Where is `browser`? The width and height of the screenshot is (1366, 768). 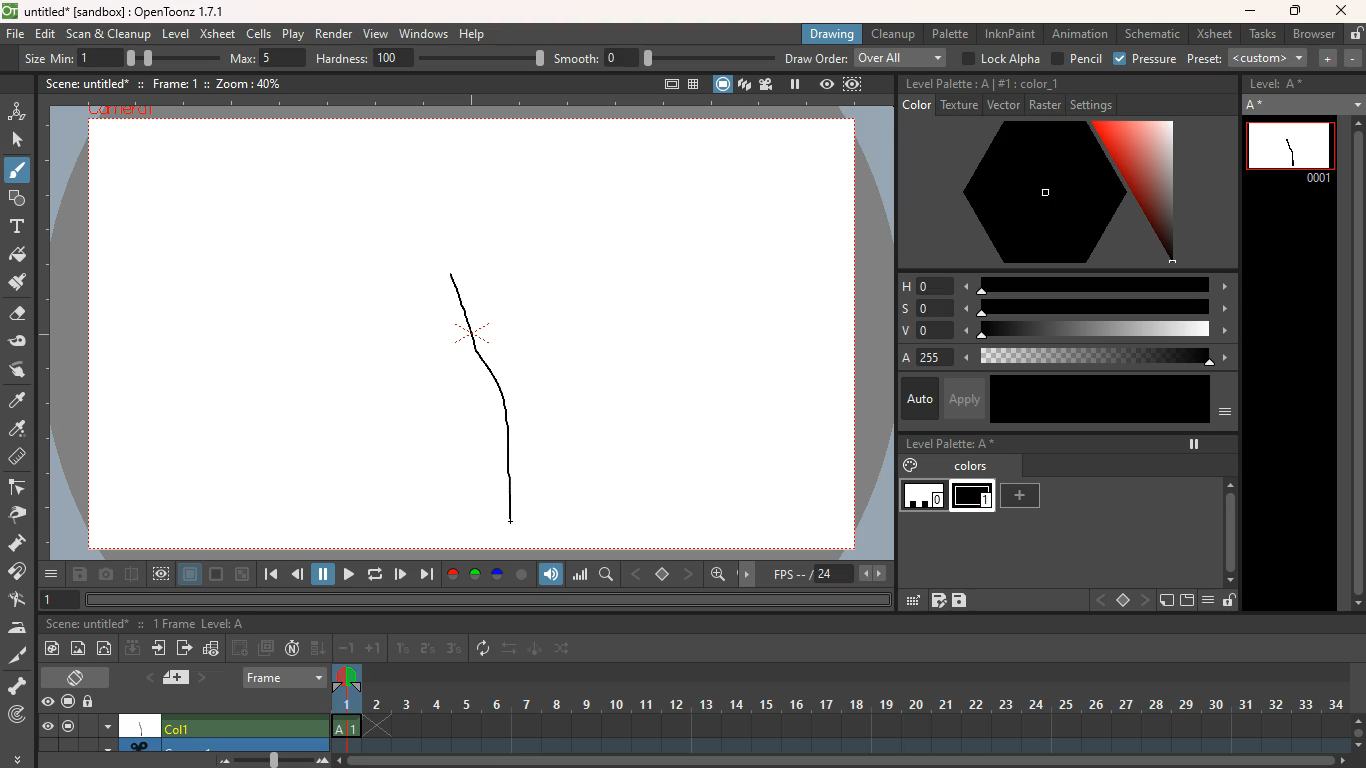 browser is located at coordinates (1312, 33).